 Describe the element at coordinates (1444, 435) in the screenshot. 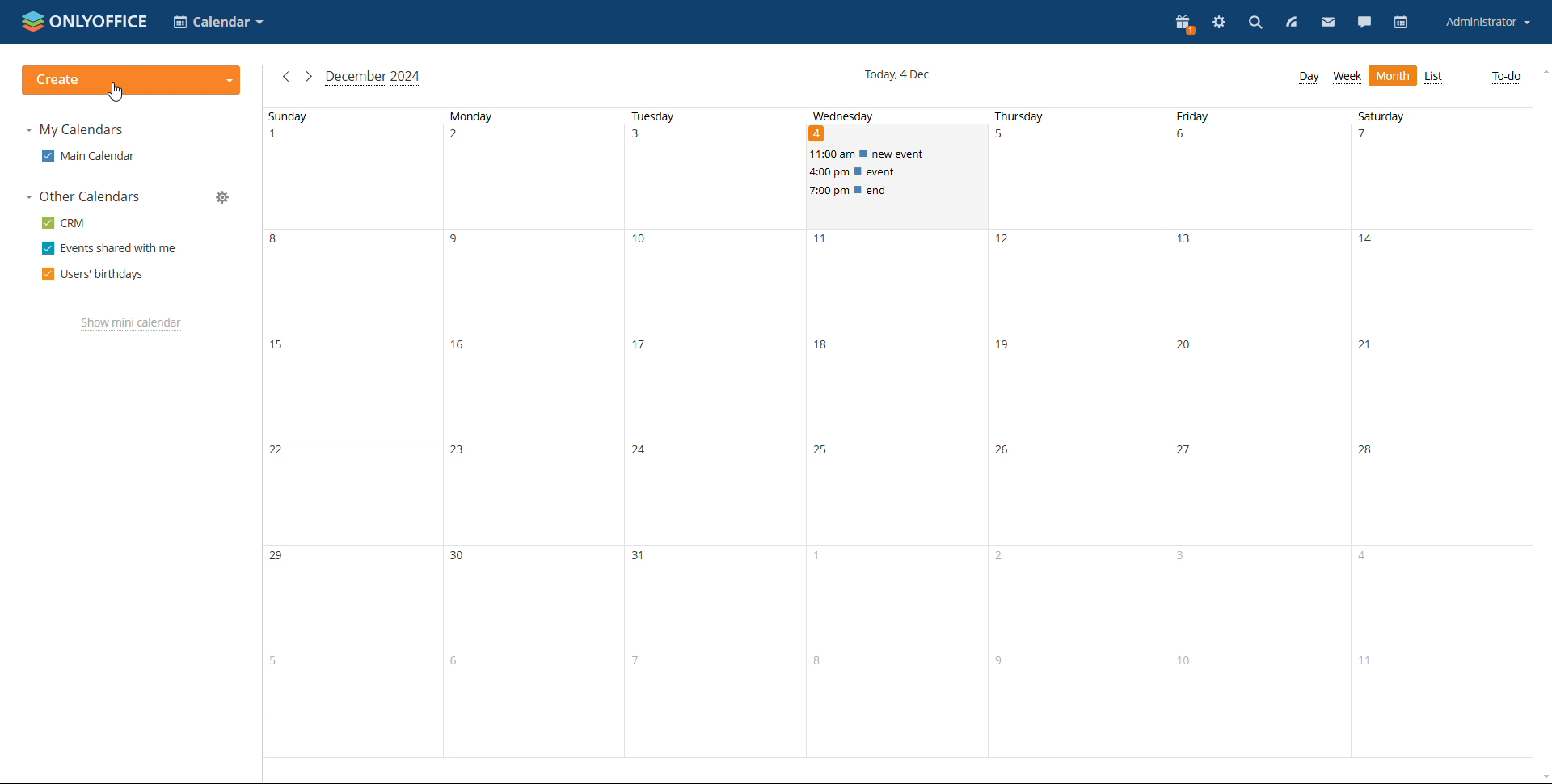

I see `saturday` at that location.